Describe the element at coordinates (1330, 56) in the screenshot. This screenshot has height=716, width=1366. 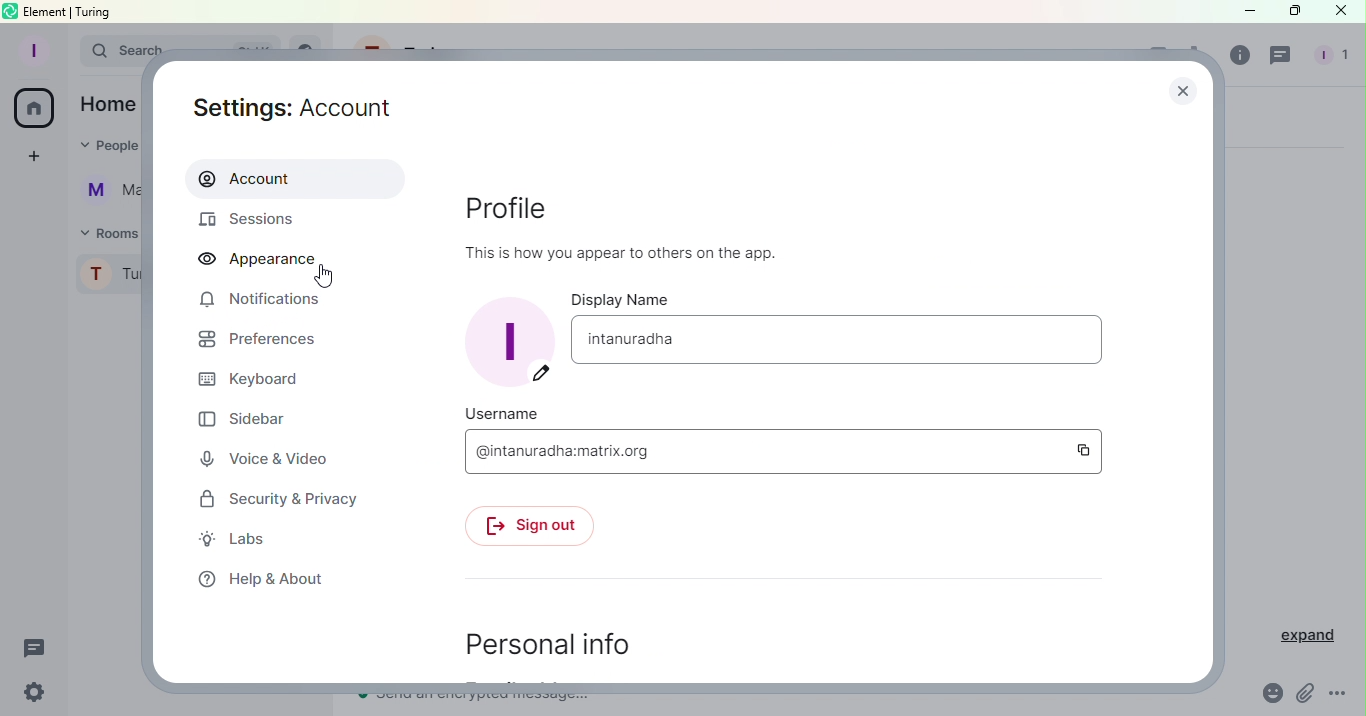
I see `People` at that location.